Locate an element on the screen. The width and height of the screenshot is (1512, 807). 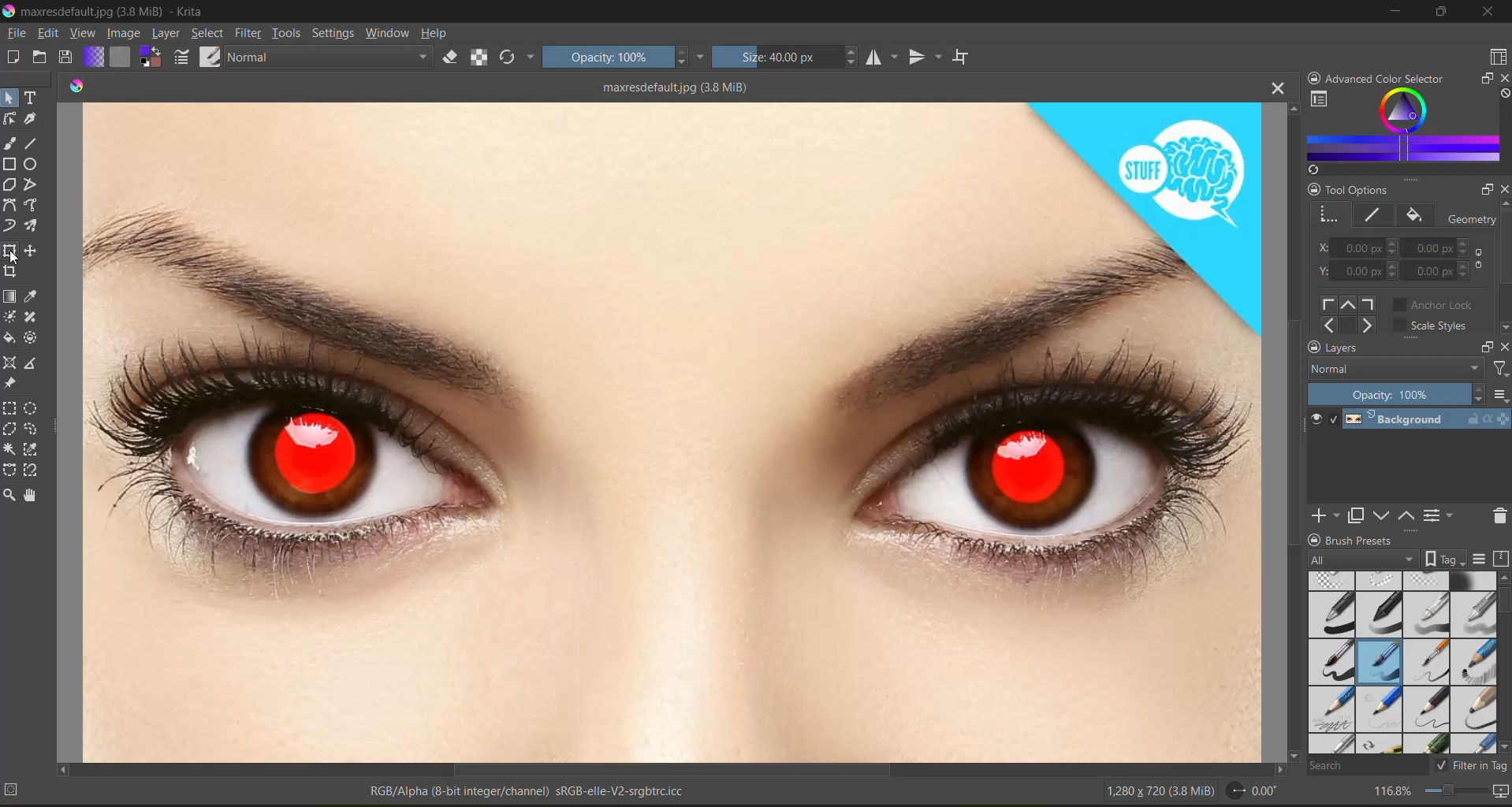
clear all color search history is located at coordinates (1503, 94).